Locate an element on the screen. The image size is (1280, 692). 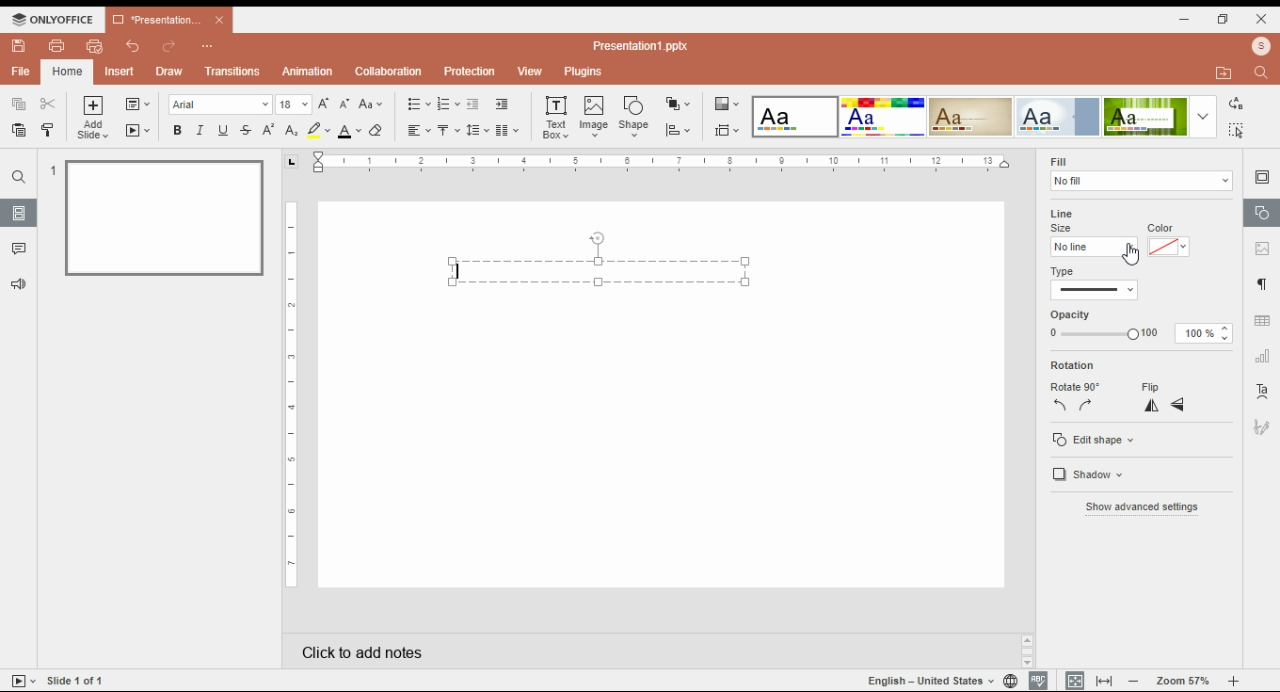
type is located at coordinates (1064, 272).